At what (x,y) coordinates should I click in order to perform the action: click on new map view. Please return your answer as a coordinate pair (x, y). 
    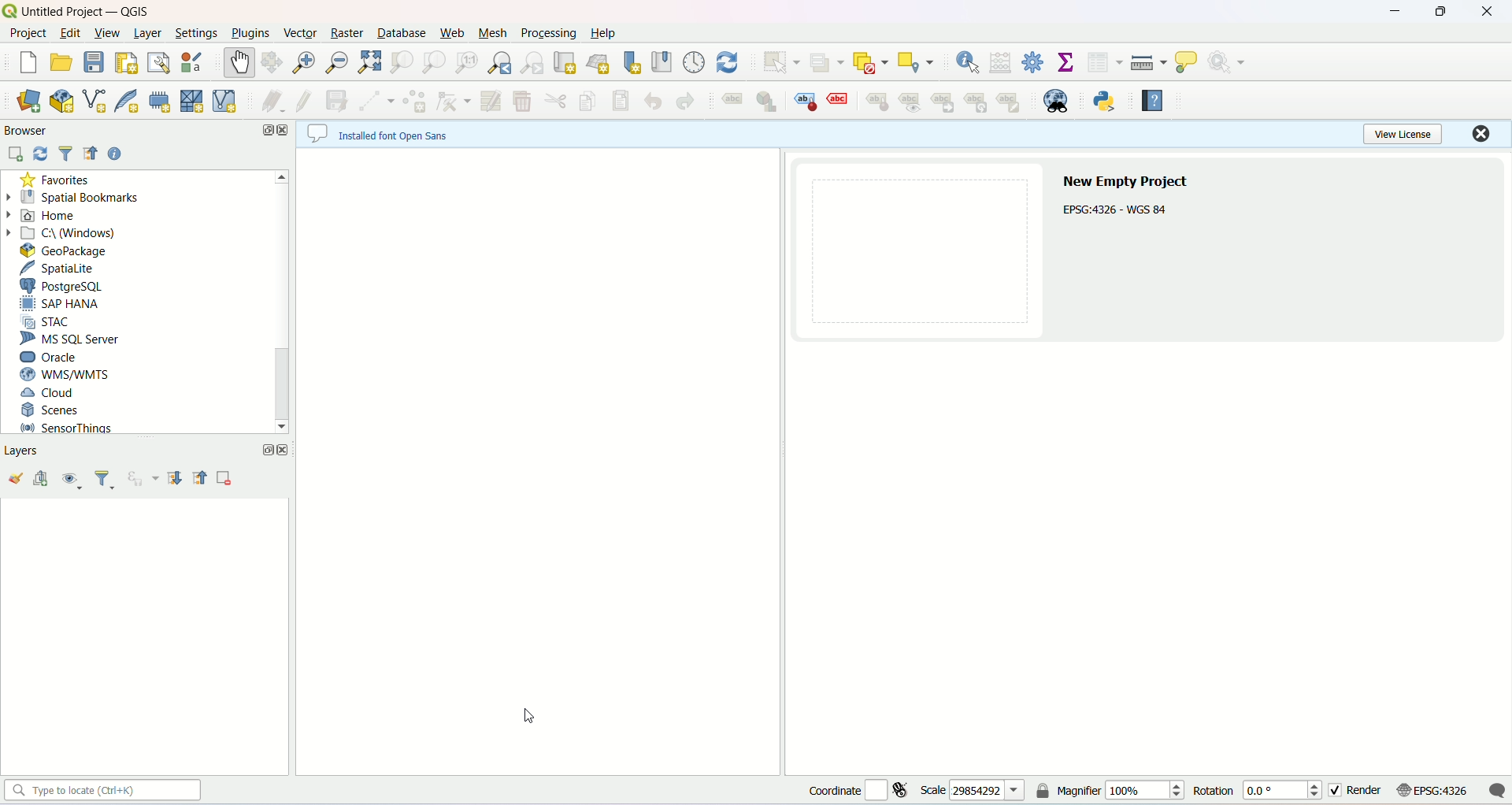
    Looking at the image, I should click on (568, 62).